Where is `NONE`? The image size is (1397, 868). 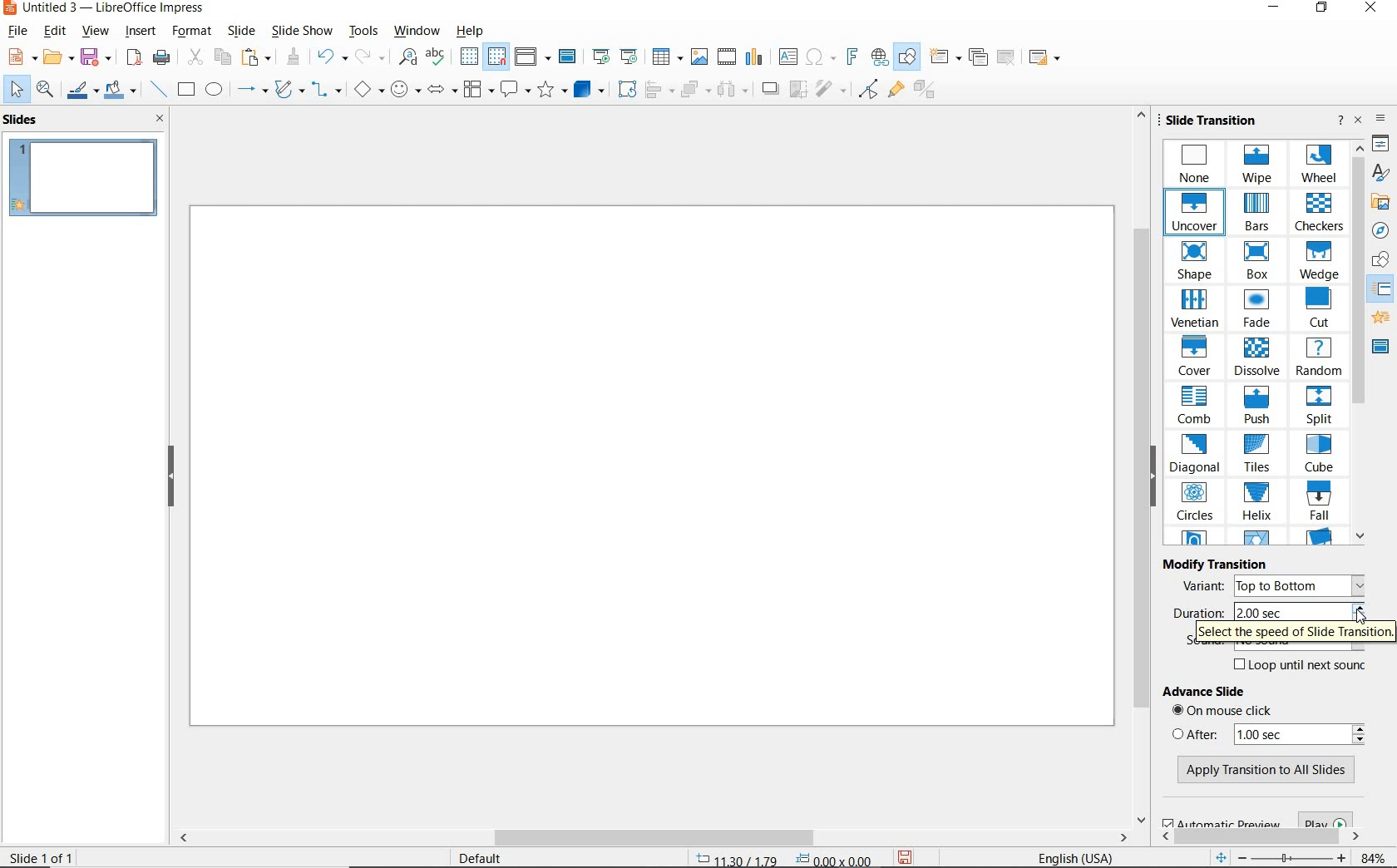 NONE is located at coordinates (1197, 164).